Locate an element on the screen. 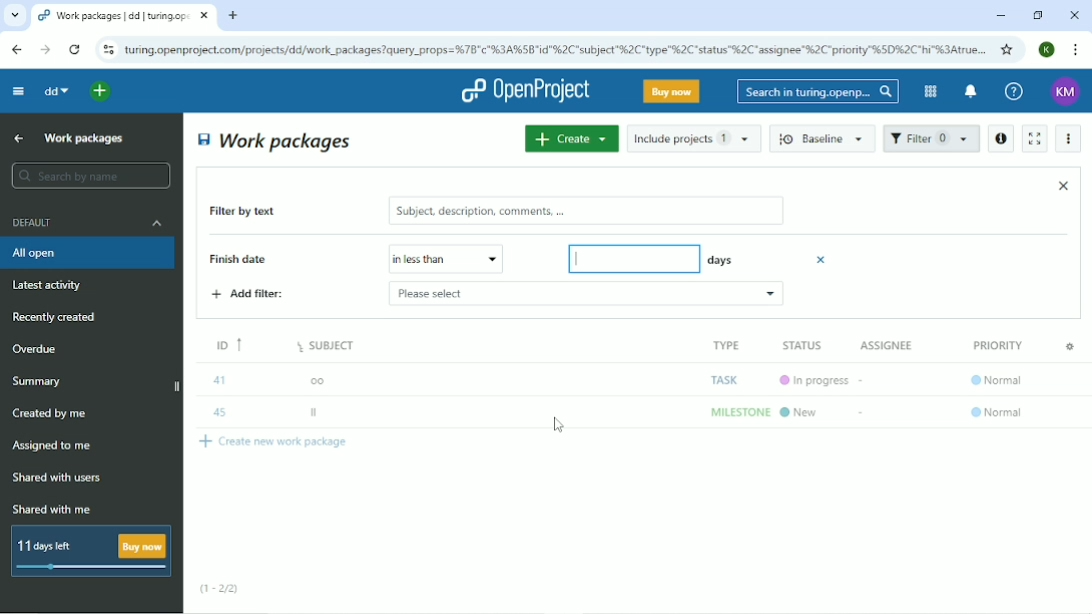 The image size is (1092, 614). Collapse project menu is located at coordinates (17, 90).